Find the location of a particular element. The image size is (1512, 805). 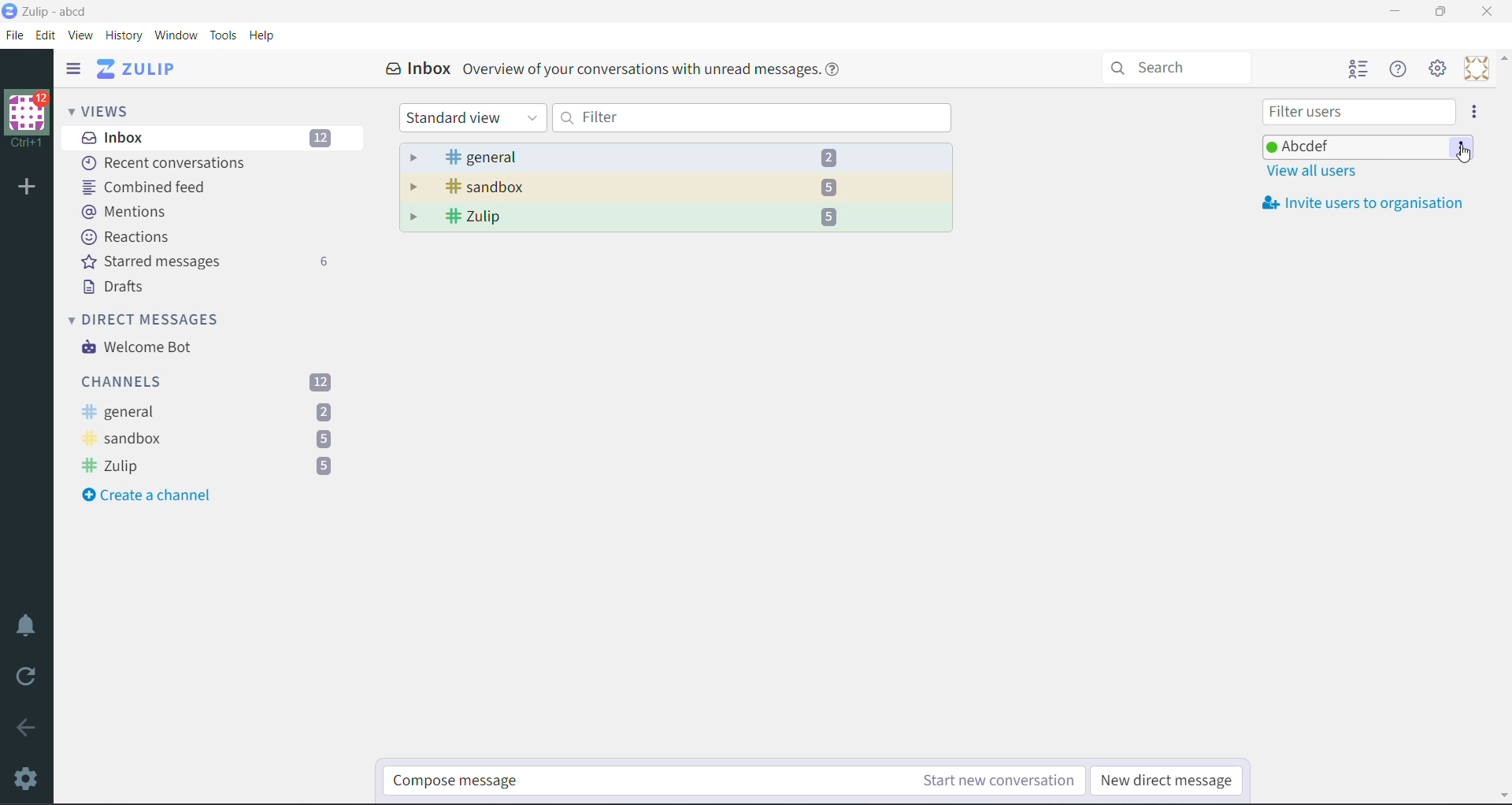

sandbox -unread  messages count is located at coordinates (207, 440).